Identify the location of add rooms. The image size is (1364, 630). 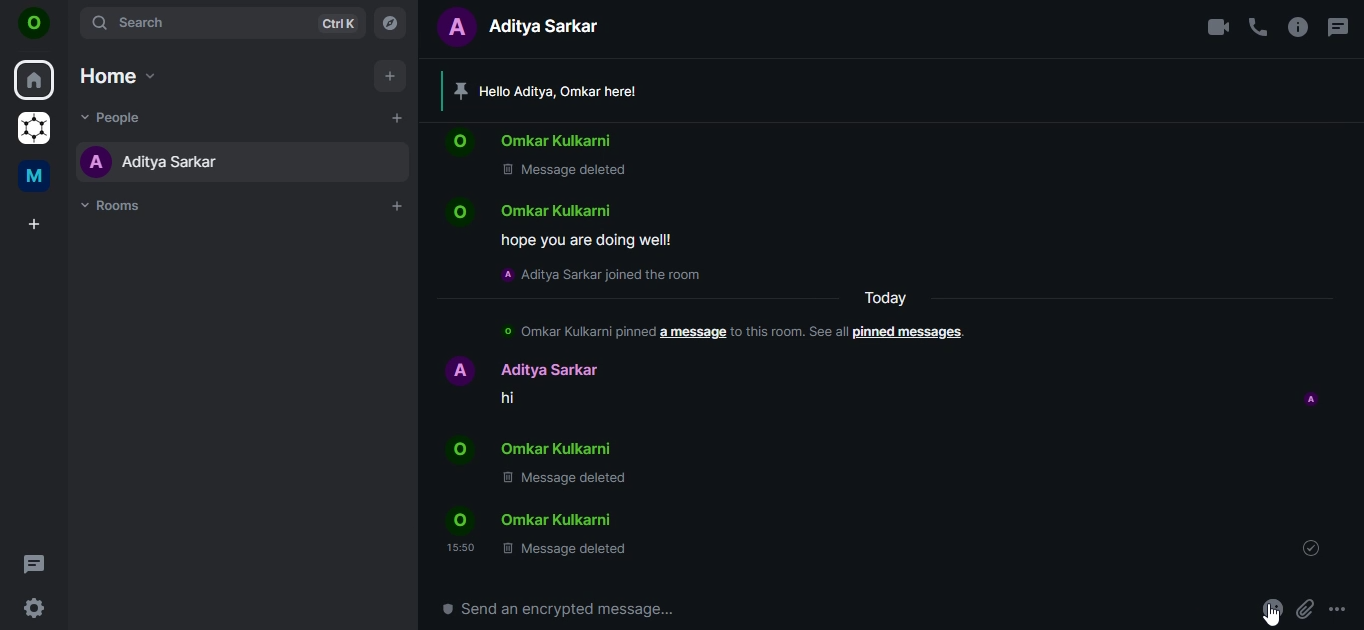
(398, 206).